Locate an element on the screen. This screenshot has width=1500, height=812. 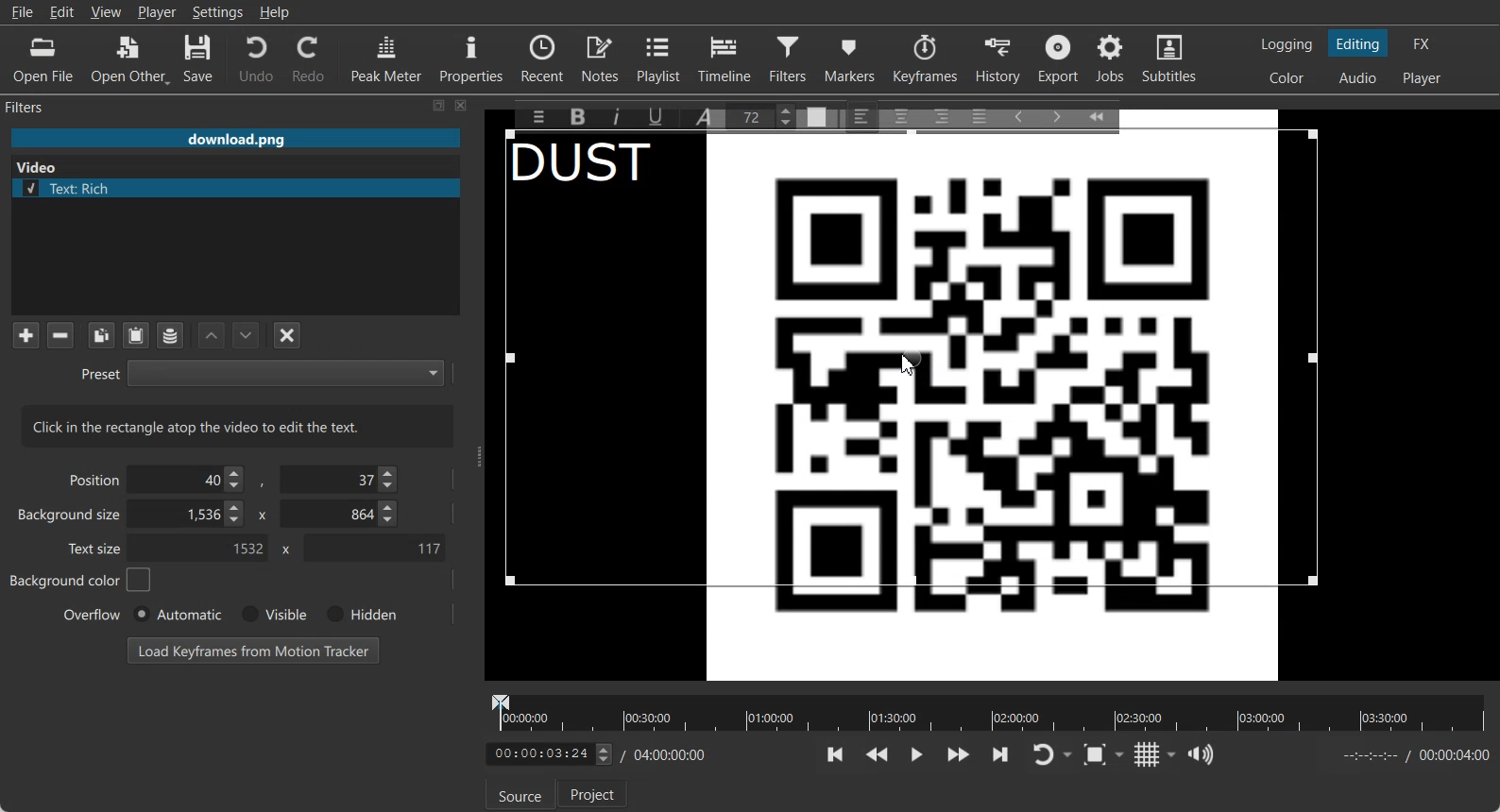
Move Filter up is located at coordinates (212, 336).